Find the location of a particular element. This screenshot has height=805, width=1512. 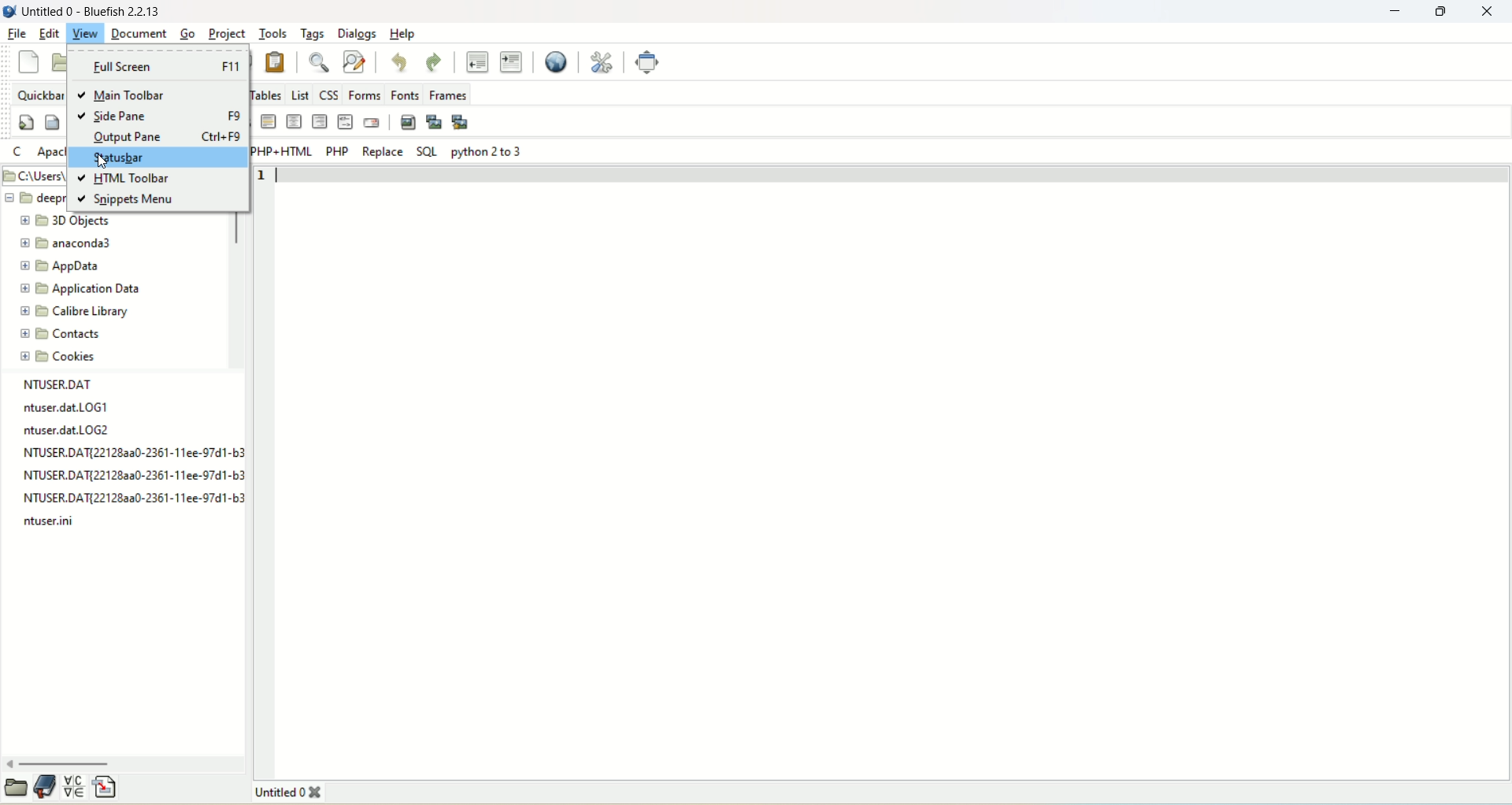

insert thumbnail is located at coordinates (435, 121).